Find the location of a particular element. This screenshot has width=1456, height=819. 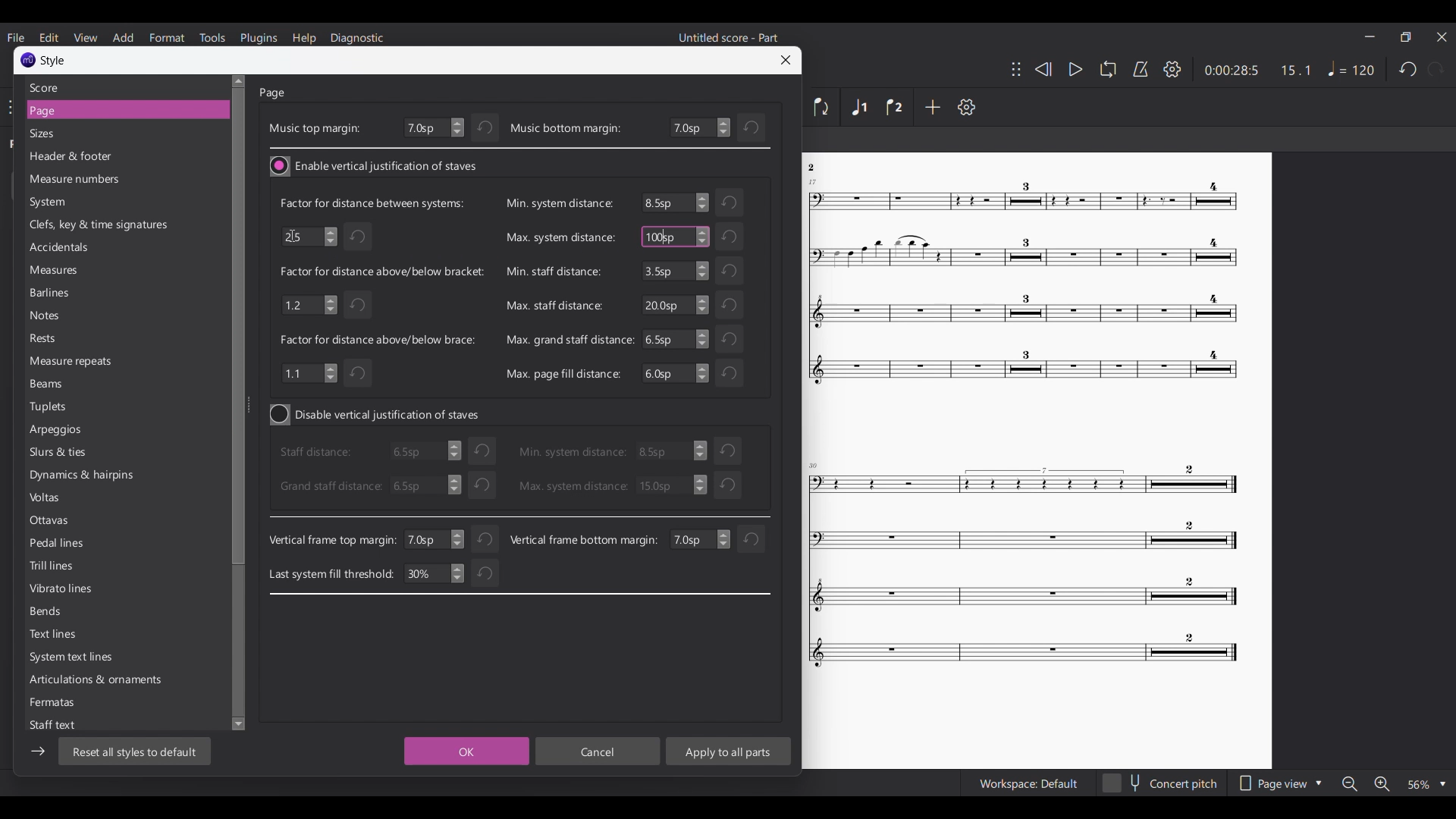

Undo is located at coordinates (483, 484).